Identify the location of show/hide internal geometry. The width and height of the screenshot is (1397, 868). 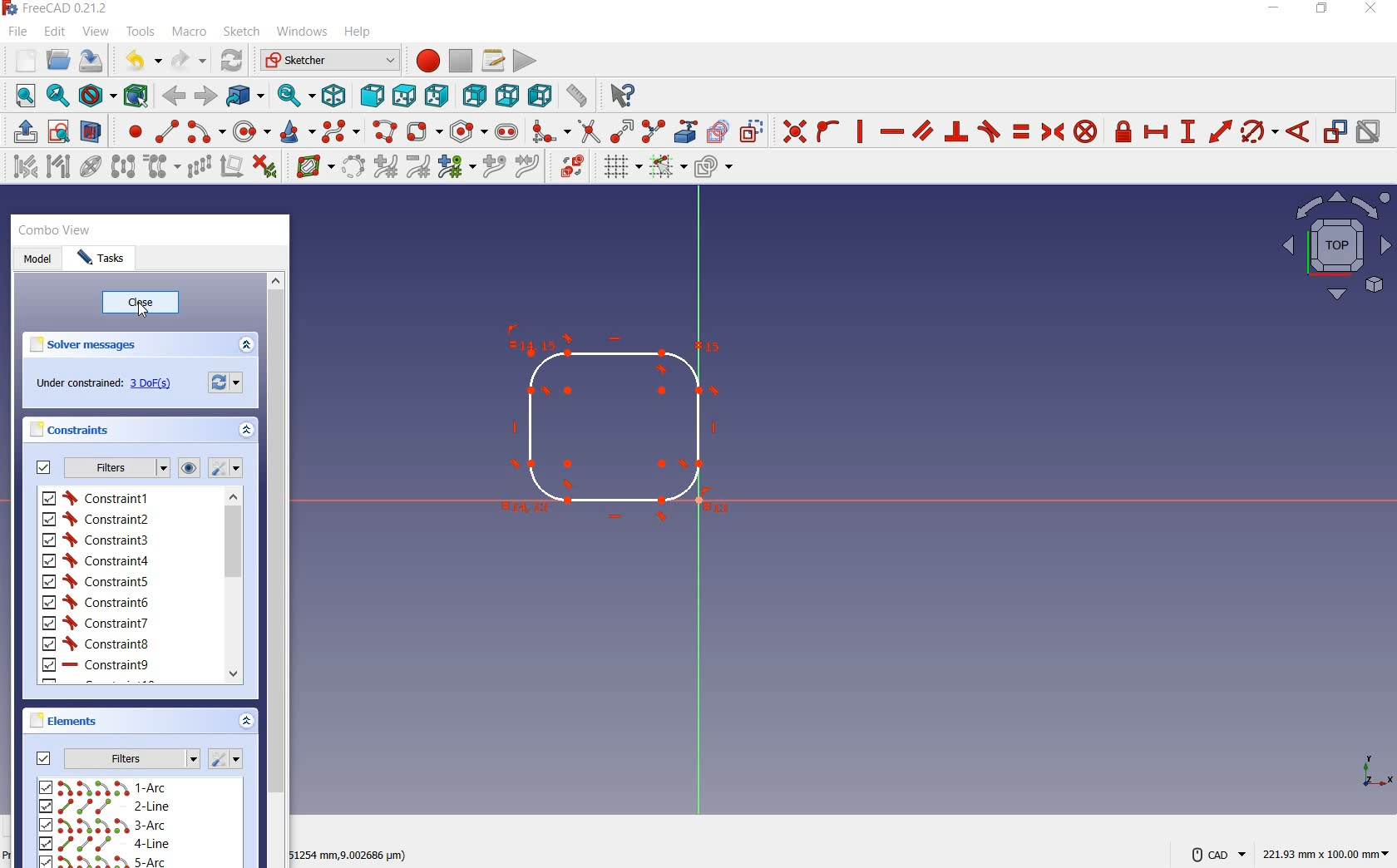
(91, 167).